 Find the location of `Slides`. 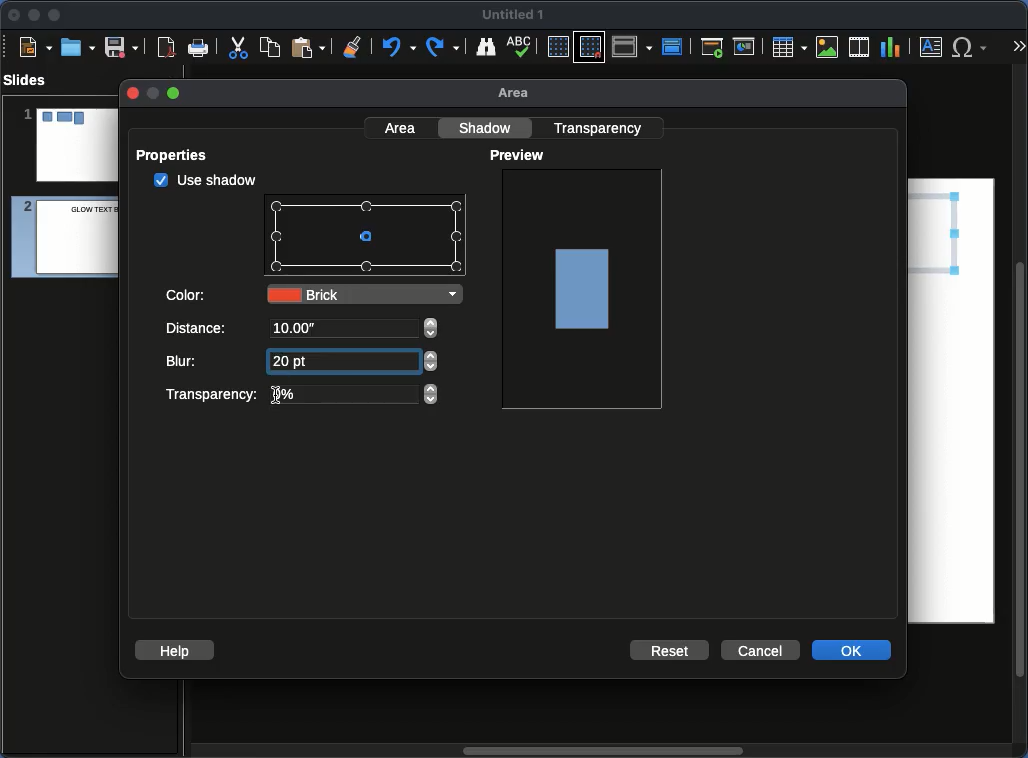

Slides is located at coordinates (31, 80).